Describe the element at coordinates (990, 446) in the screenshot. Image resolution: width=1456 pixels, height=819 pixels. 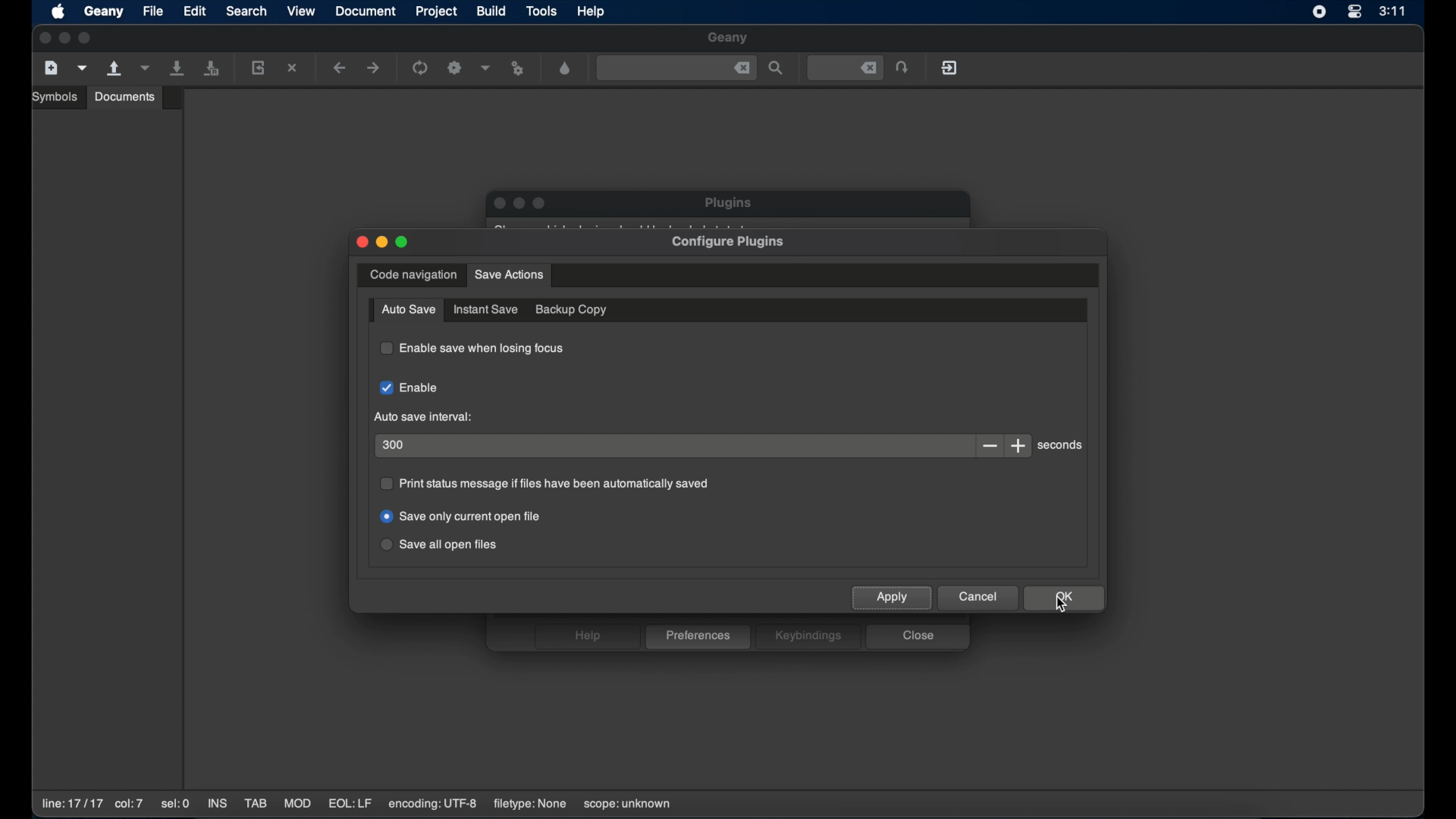
I see `decrement` at that location.